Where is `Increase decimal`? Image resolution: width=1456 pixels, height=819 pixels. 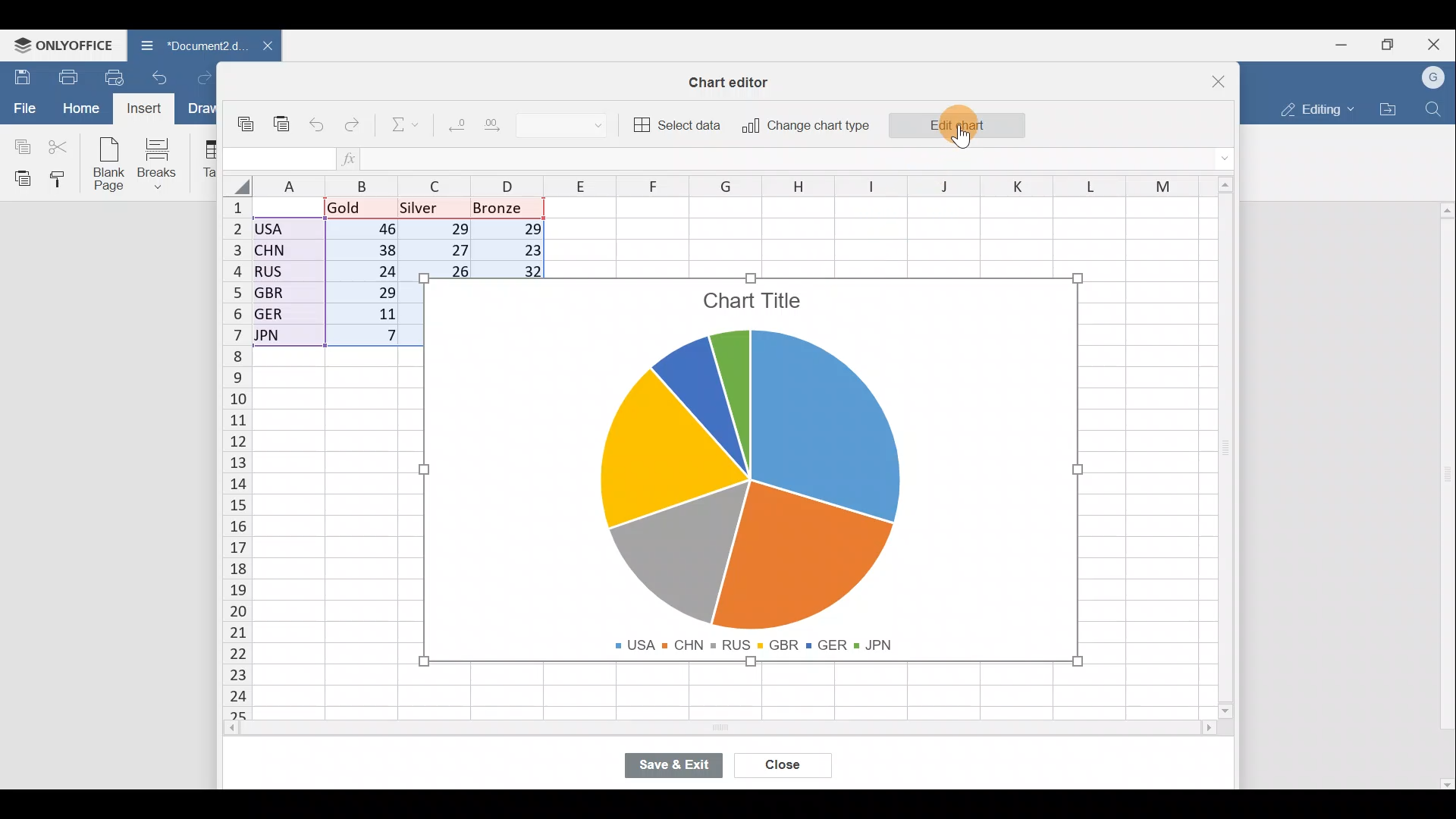
Increase decimal is located at coordinates (496, 123).